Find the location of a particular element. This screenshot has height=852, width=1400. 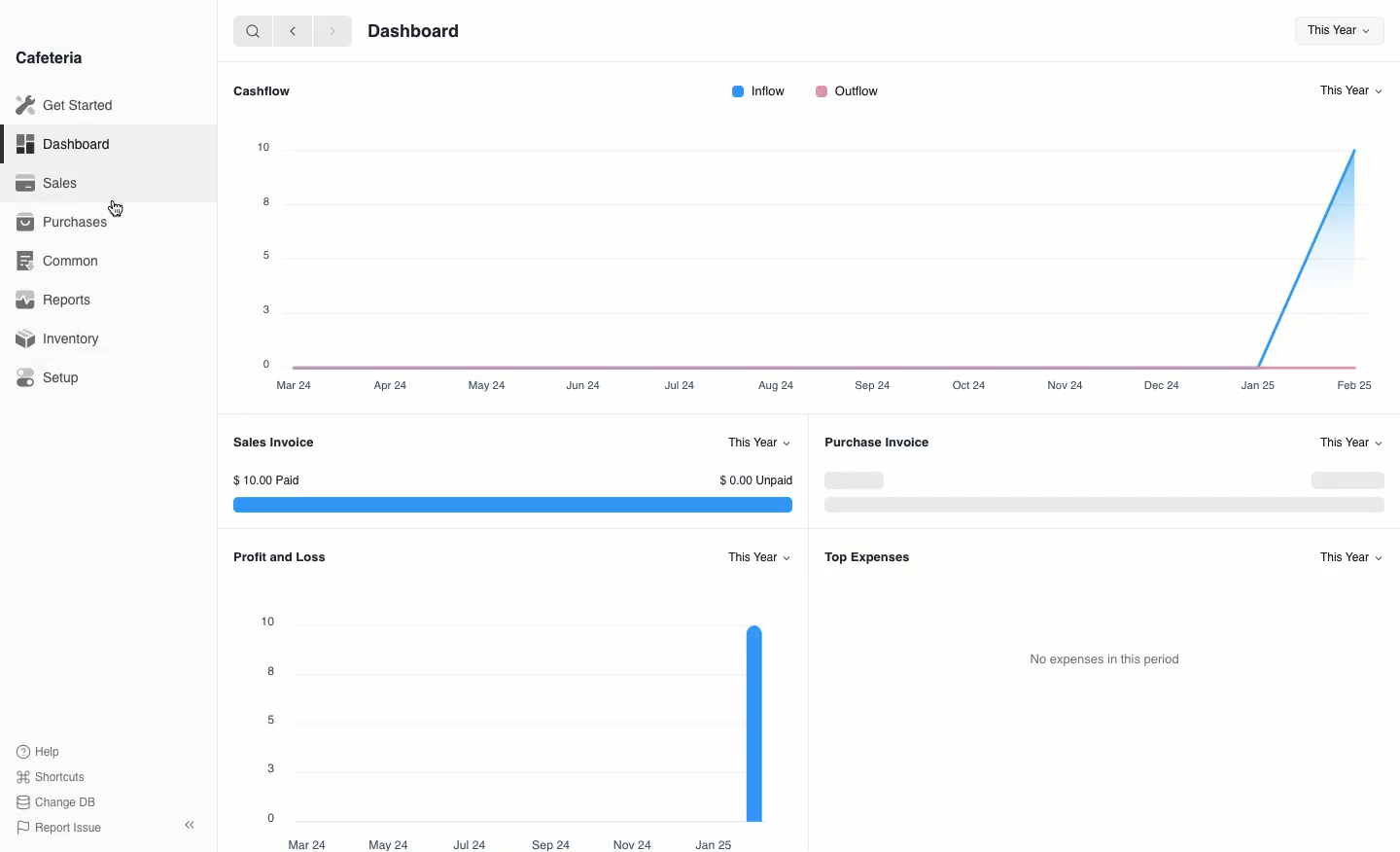

Dec 24 is located at coordinates (1153, 385).